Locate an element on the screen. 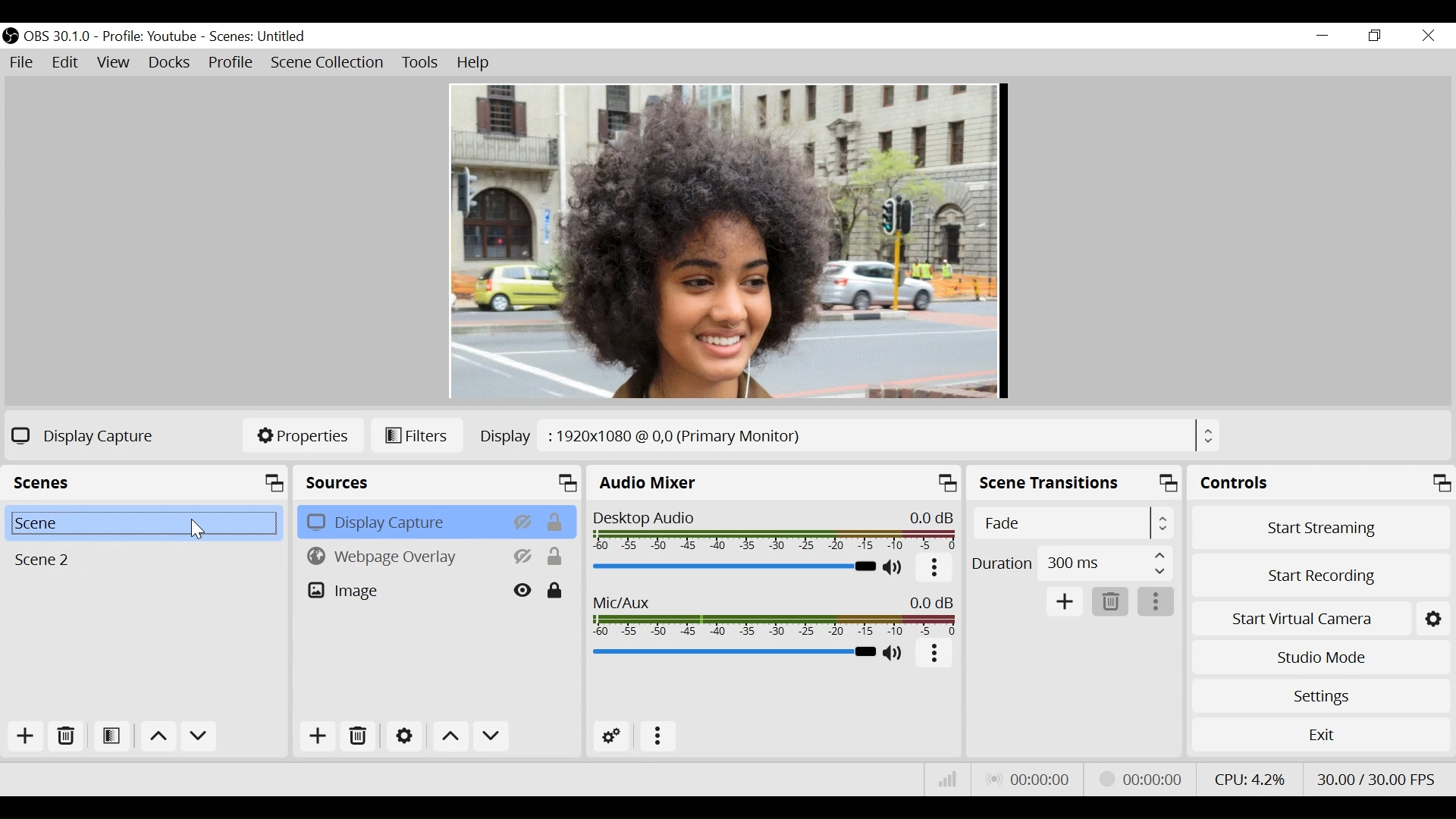 This screenshot has height=819, width=1456. Delete is located at coordinates (1109, 601).